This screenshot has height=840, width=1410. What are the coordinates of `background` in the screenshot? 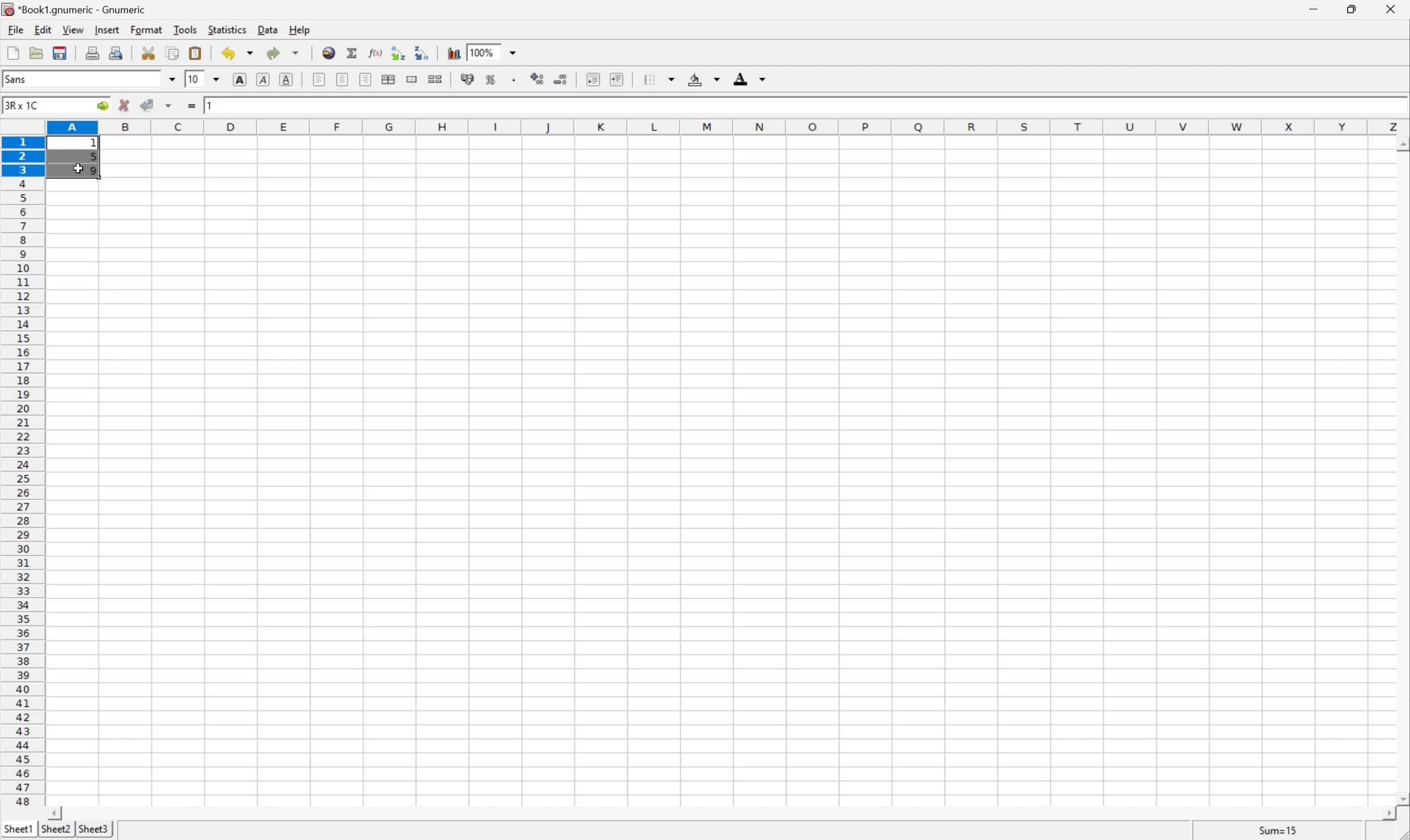 It's located at (704, 78).